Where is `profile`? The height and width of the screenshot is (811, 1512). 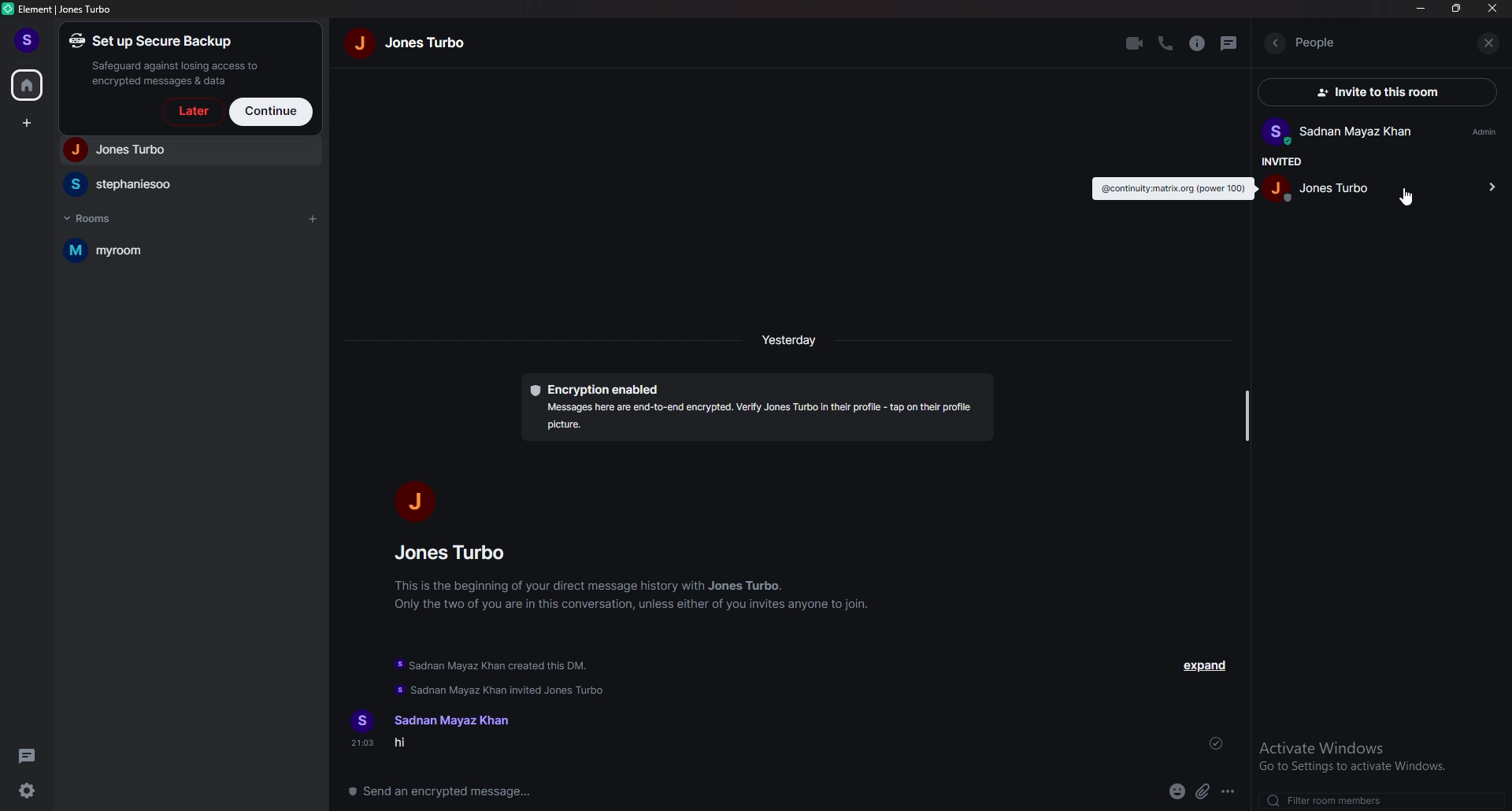 profile is located at coordinates (1381, 132).